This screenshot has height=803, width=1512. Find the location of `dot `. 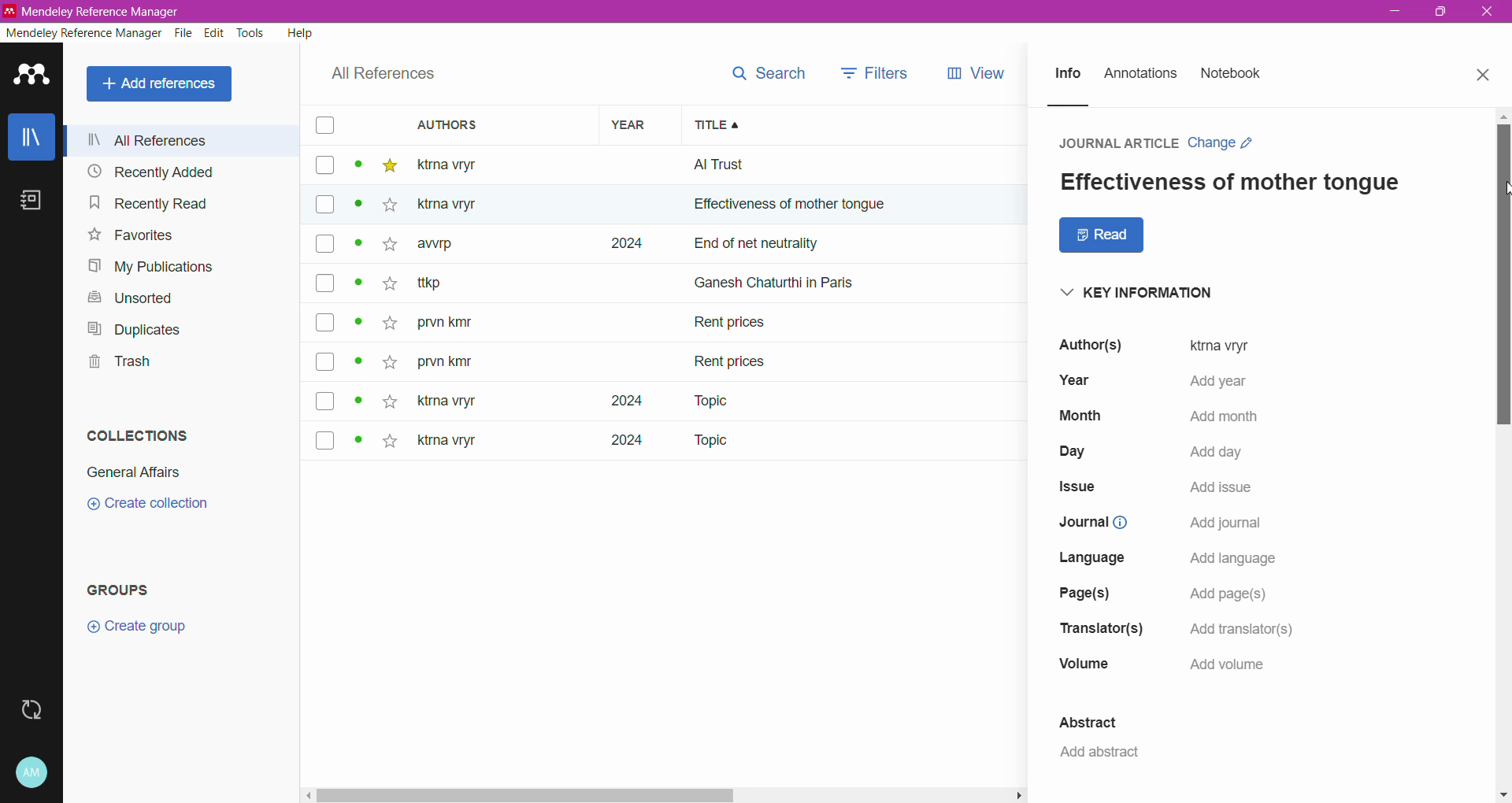

dot  is located at coordinates (357, 326).